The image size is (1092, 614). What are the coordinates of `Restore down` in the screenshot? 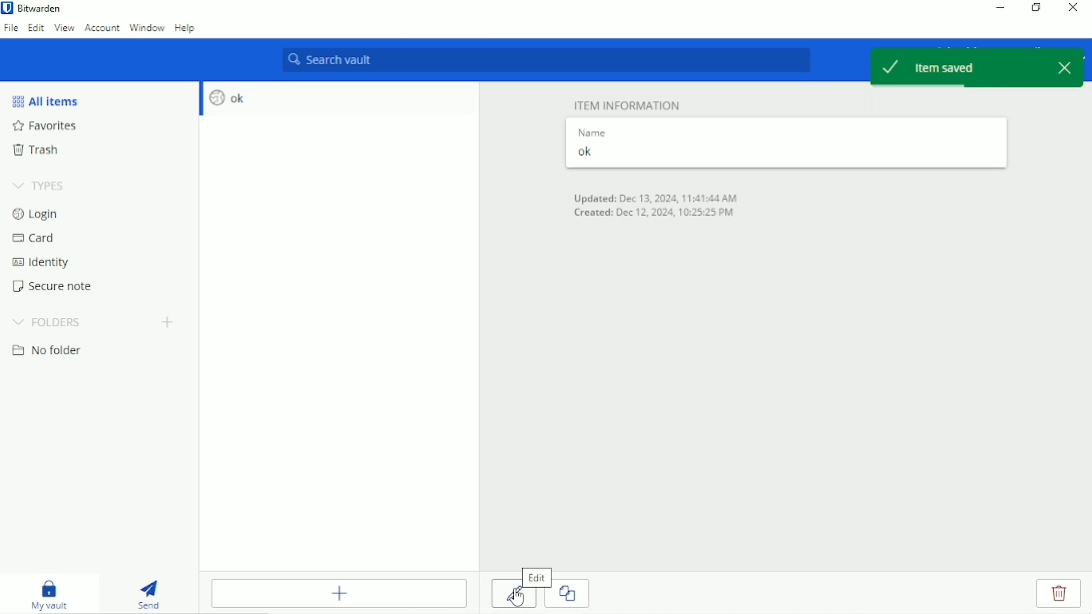 It's located at (1036, 7).